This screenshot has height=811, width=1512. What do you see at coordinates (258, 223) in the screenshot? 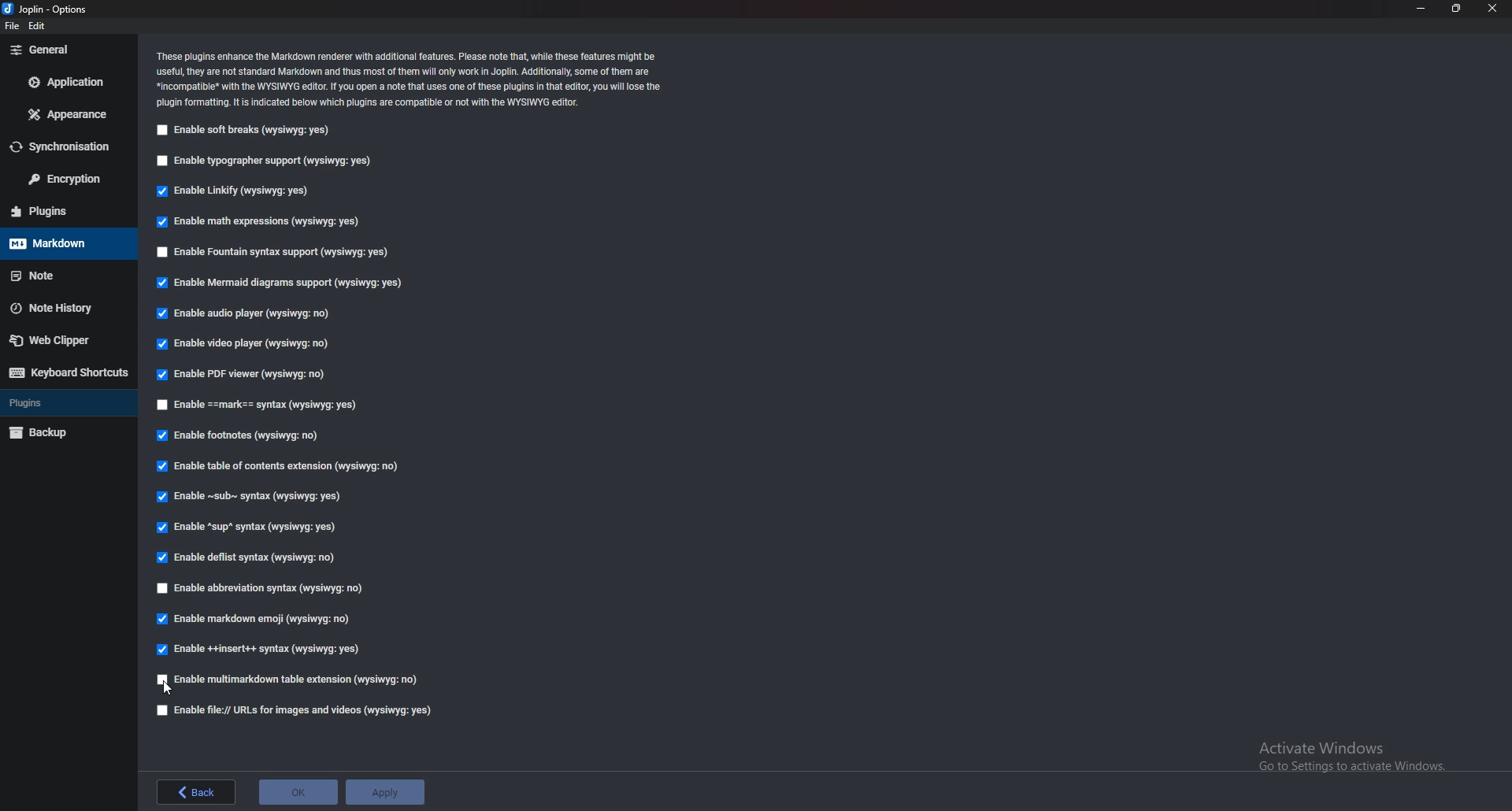
I see `Enable math expressions` at bounding box center [258, 223].